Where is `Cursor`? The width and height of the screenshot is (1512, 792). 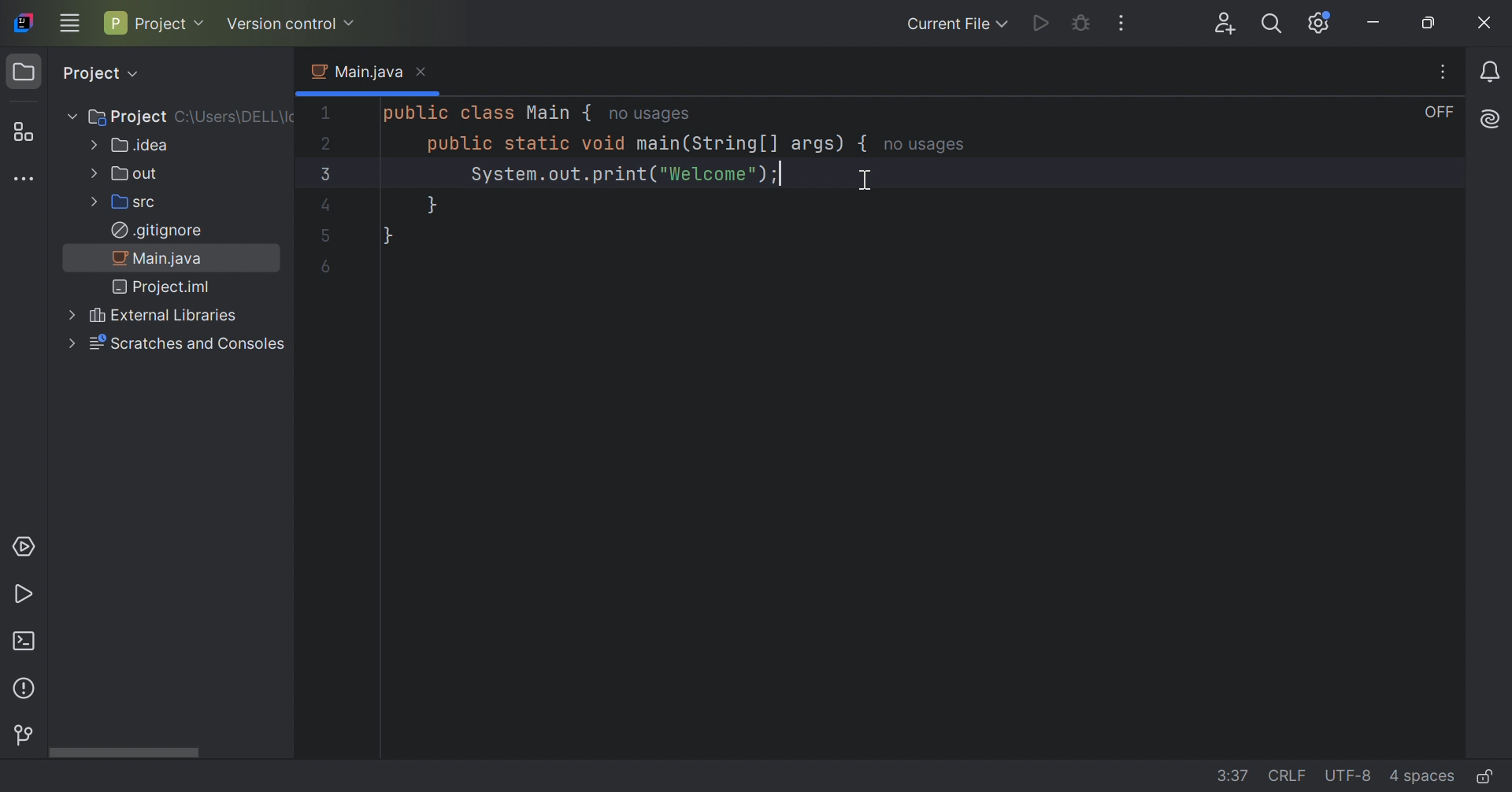
Cursor is located at coordinates (865, 182).